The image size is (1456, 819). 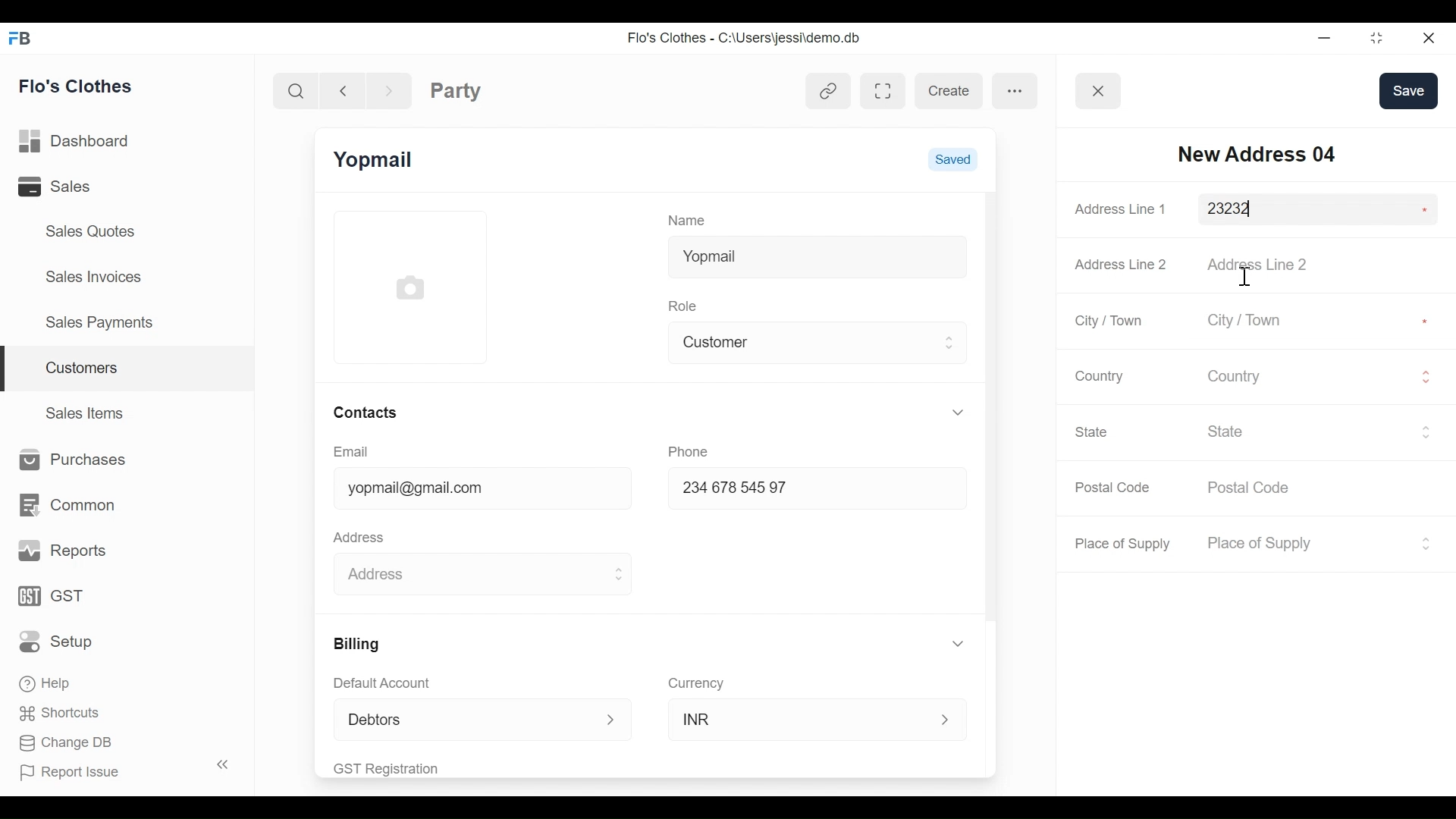 I want to click on 23232, so click(x=1302, y=209).